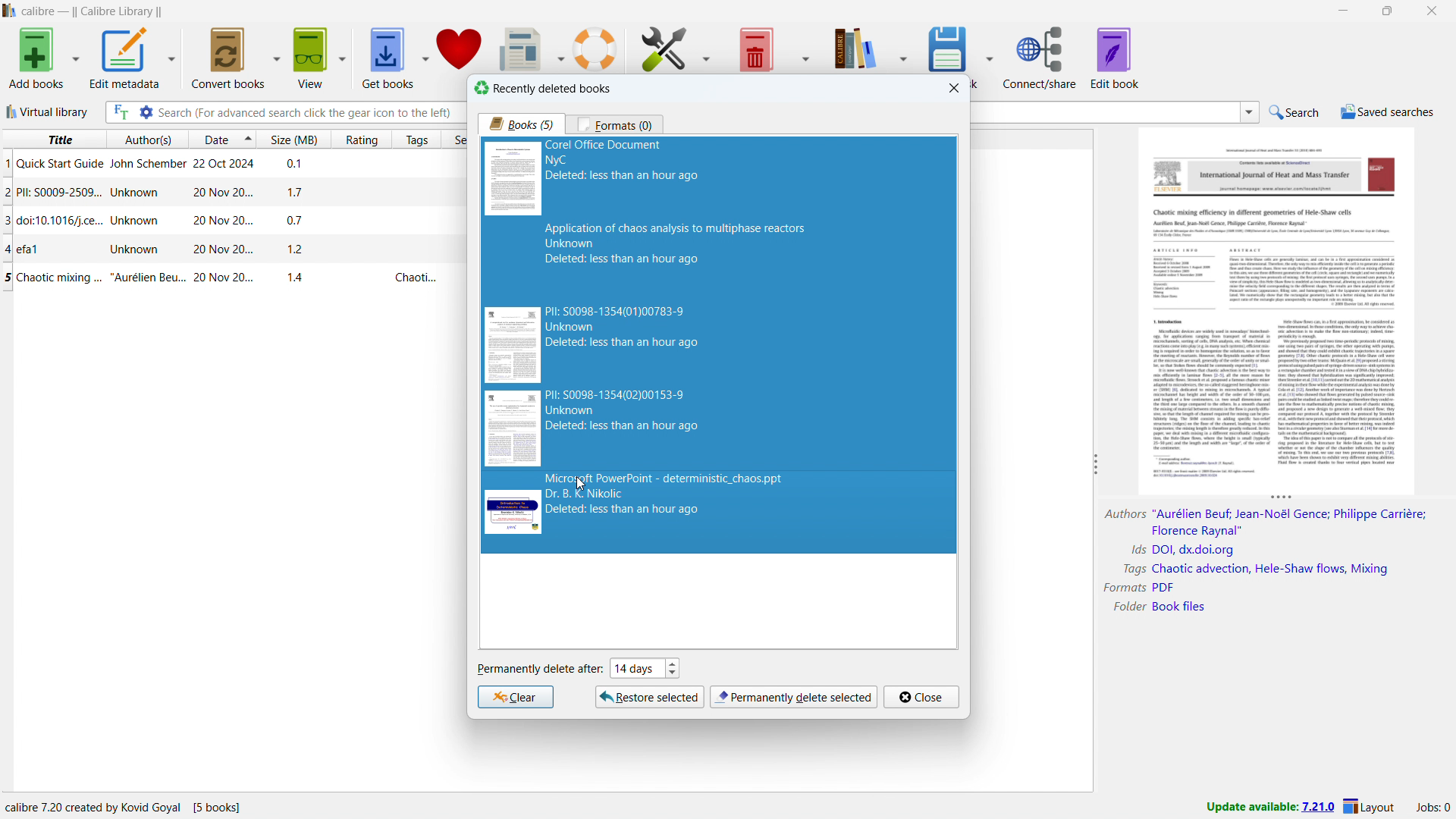  What do you see at coordinates (362, 140) in the screenshot?
I see `sort by rating` at bounding box center [362, 140].